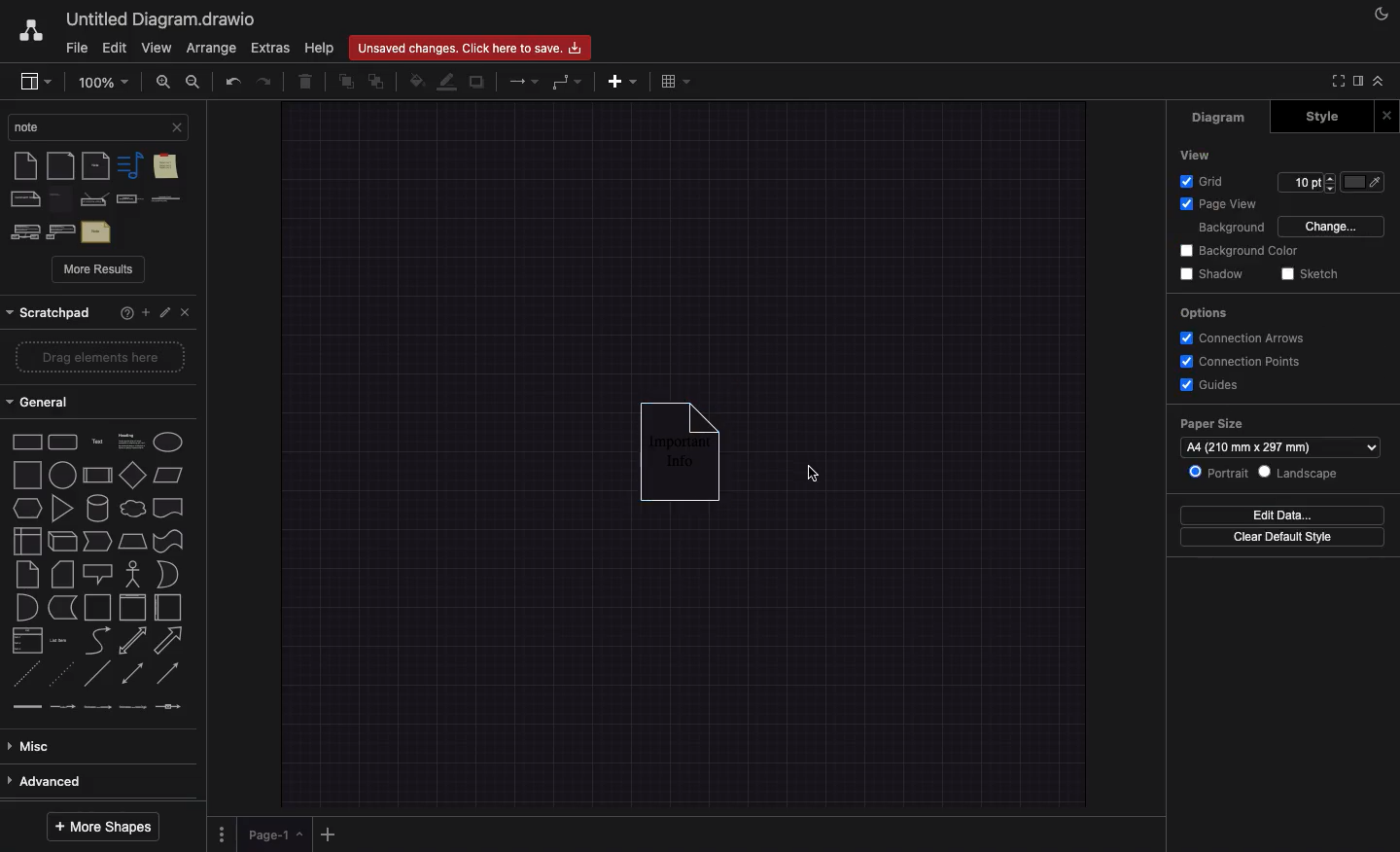 This screenshot has height=852, width=1400. What do you see at coordinates (169, 541) in the screenshot?
I see `tape` at bounding box center [169, 541].